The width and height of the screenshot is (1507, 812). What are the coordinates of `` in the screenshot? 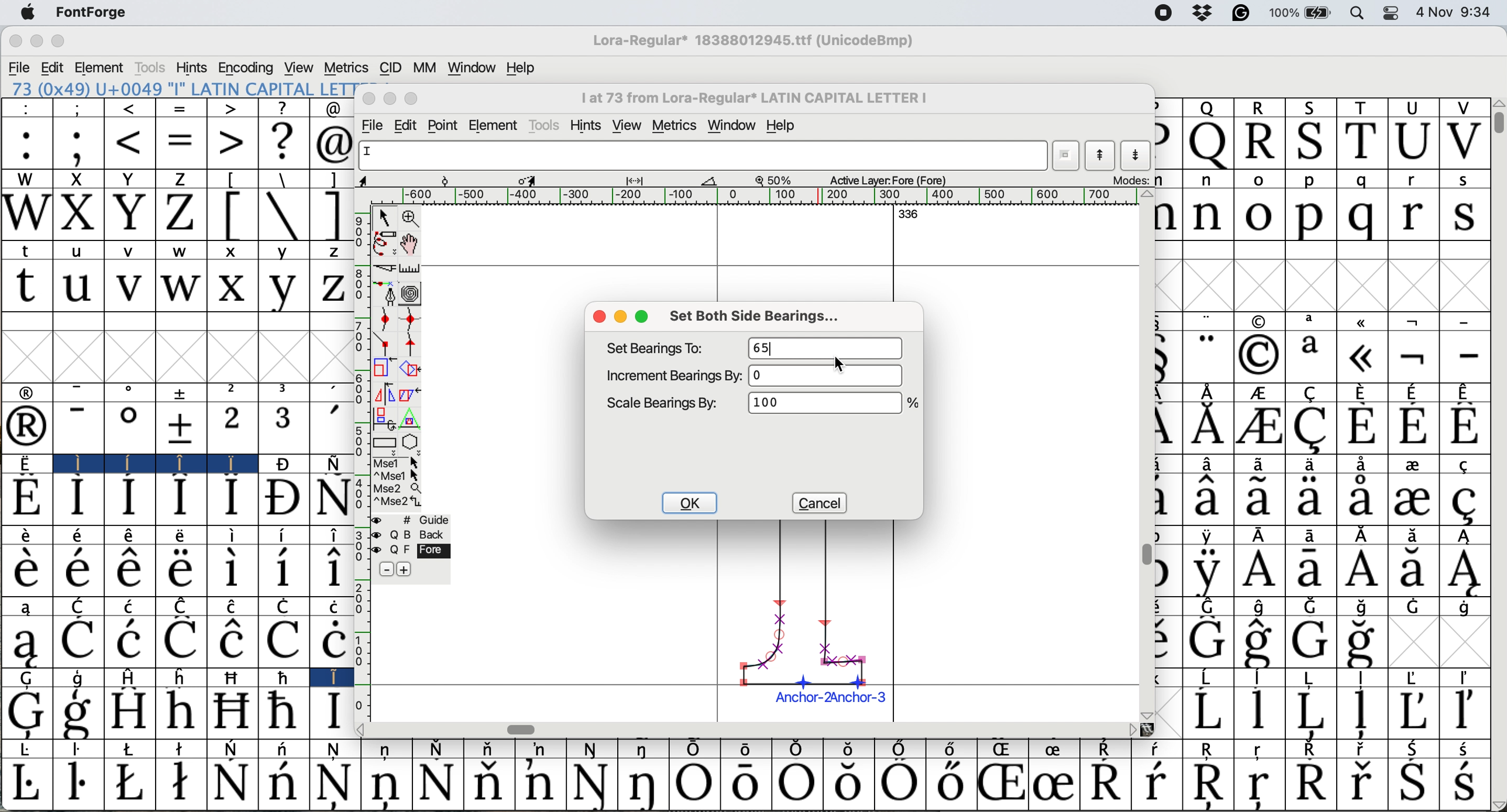 It's located at (1498, 102).